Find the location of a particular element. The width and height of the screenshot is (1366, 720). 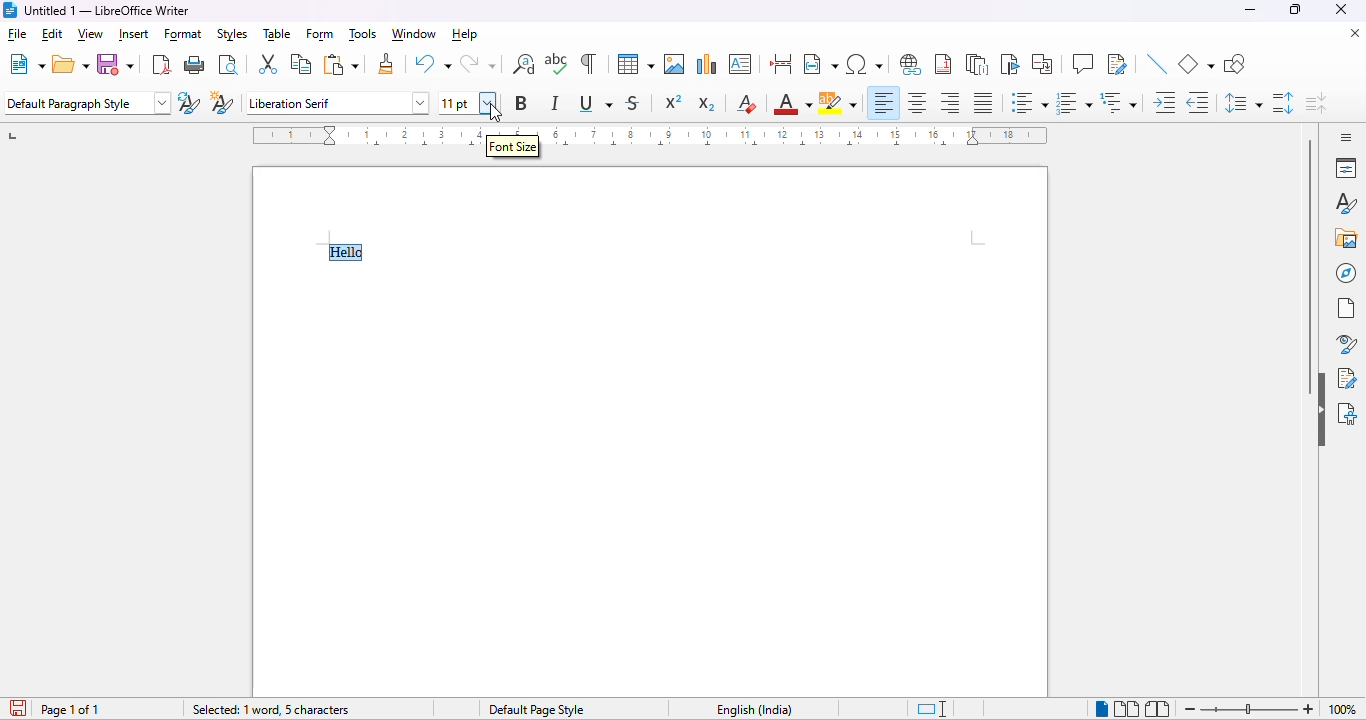

hello is located at coordinates (345, 251).